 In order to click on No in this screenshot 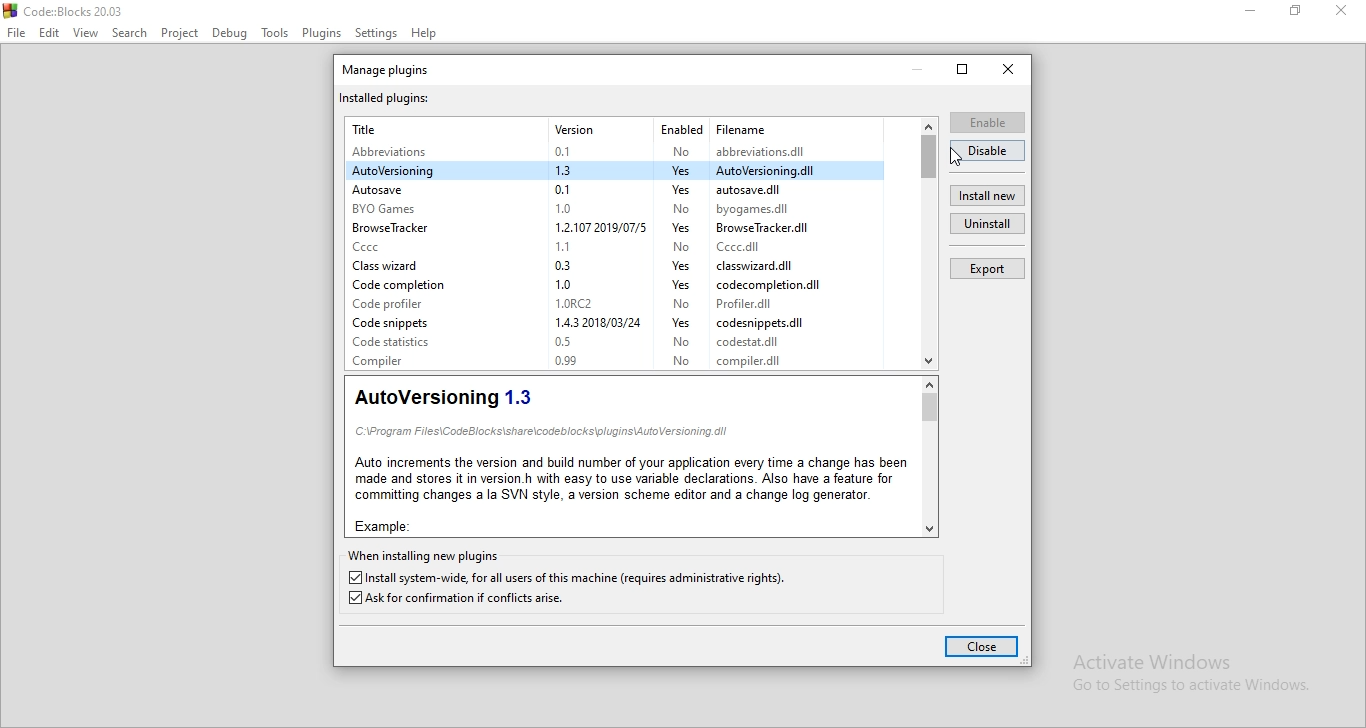, I will do `click(682, 305)`.